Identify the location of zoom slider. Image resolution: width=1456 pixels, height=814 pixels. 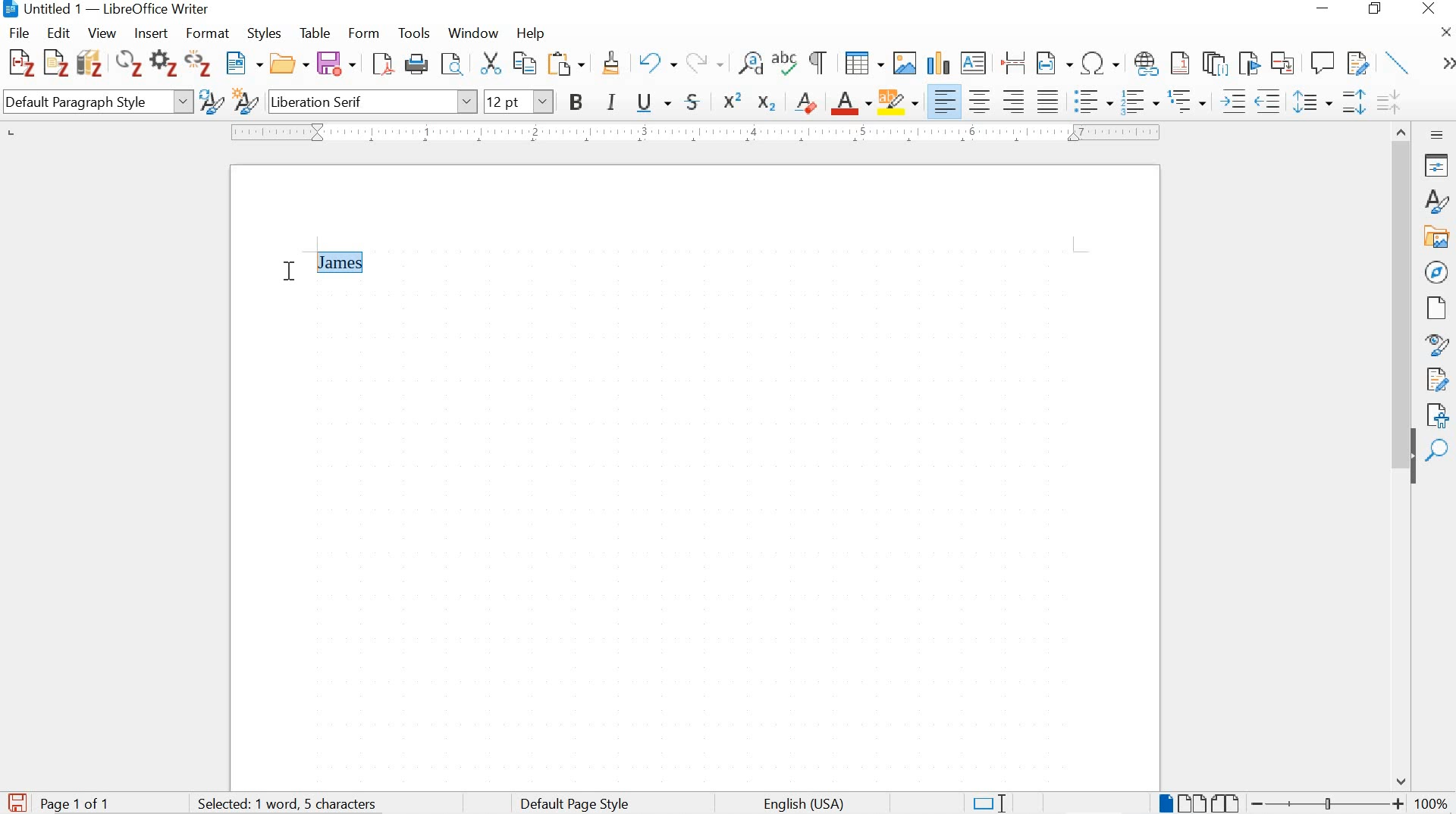
(1323, 803).